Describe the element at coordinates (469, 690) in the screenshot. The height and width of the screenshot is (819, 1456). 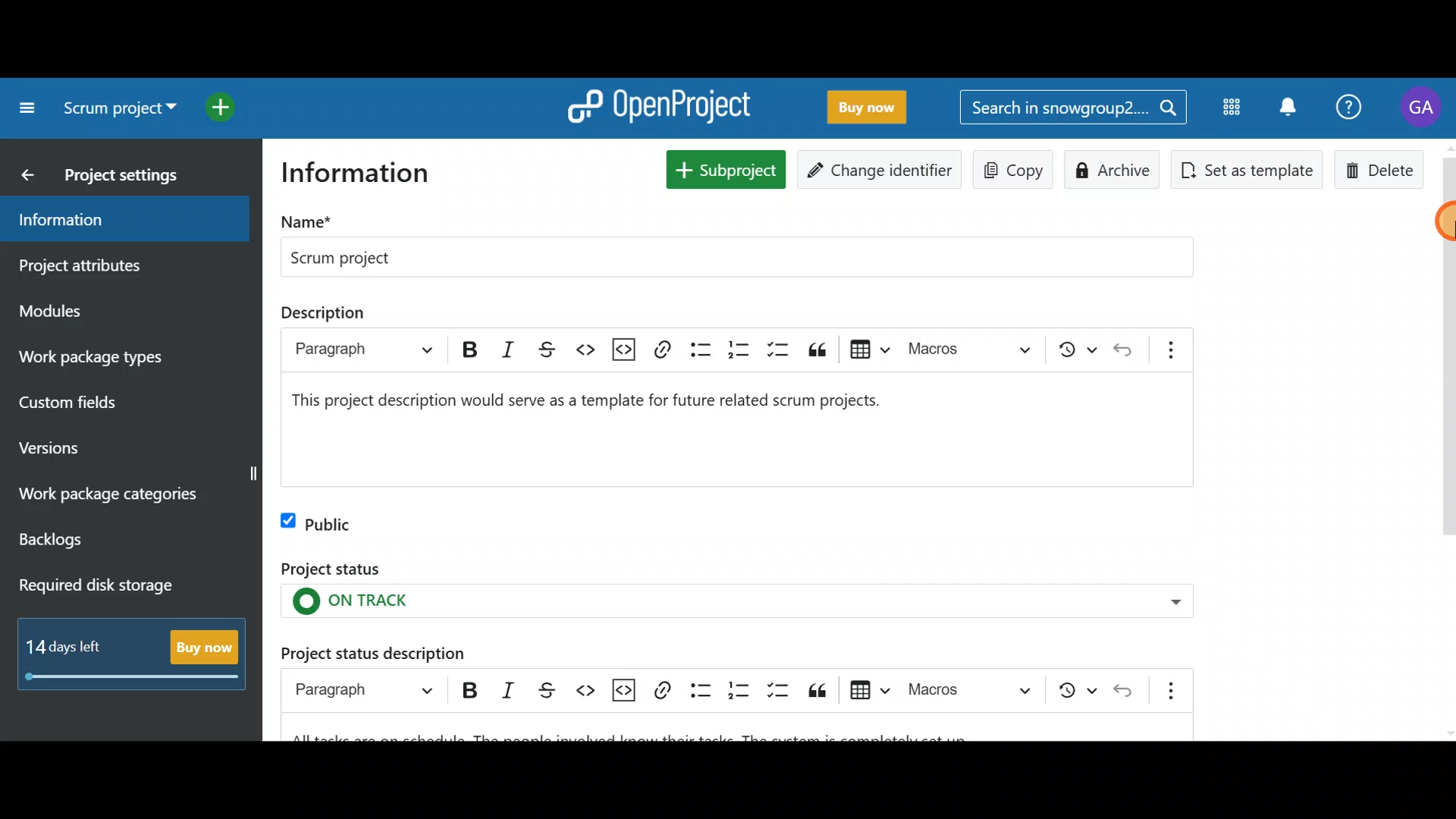
I see `Bold` at that location.